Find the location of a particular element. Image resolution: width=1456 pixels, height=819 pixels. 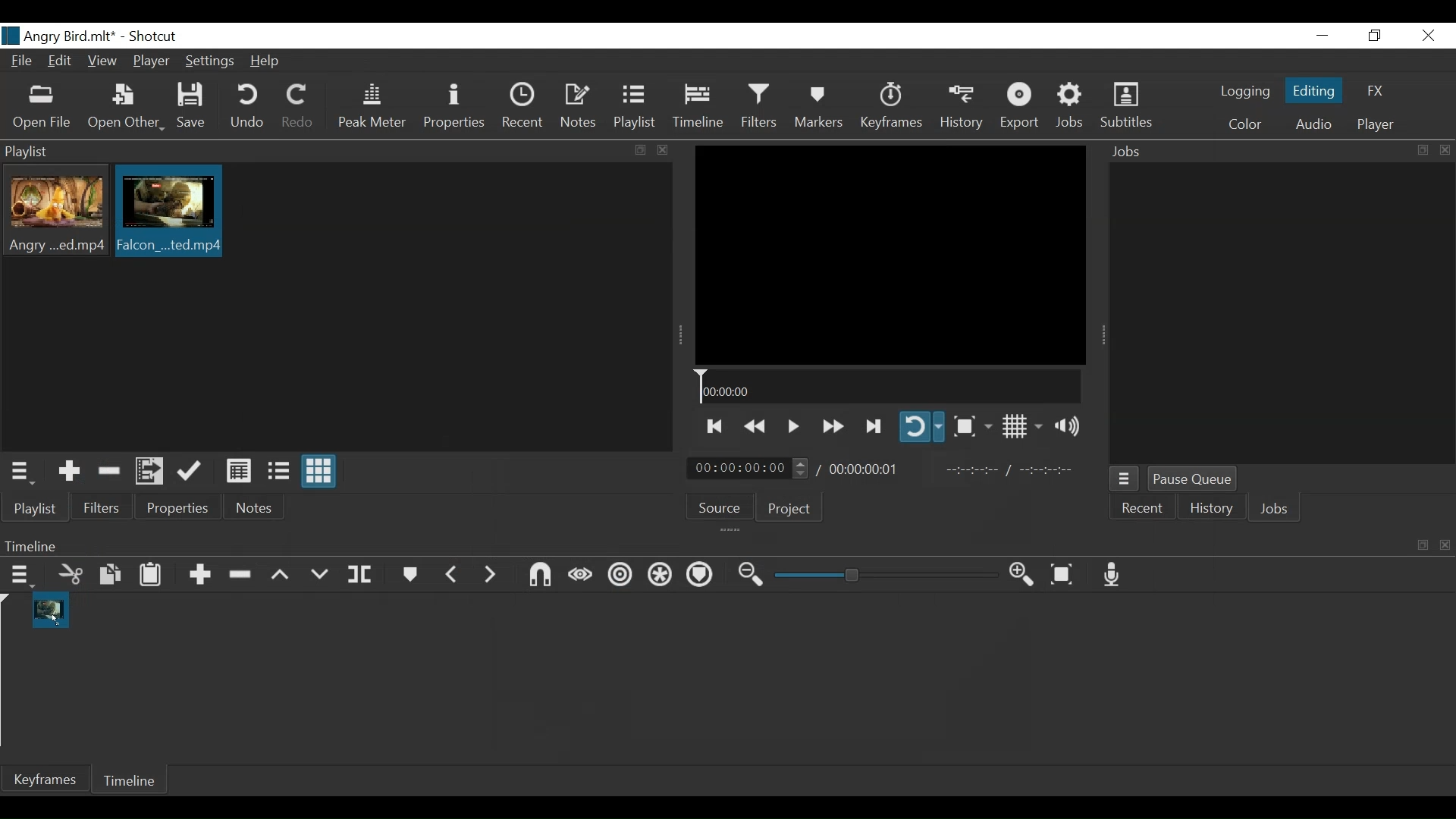

Timeline is located at coordinates (698, 544).